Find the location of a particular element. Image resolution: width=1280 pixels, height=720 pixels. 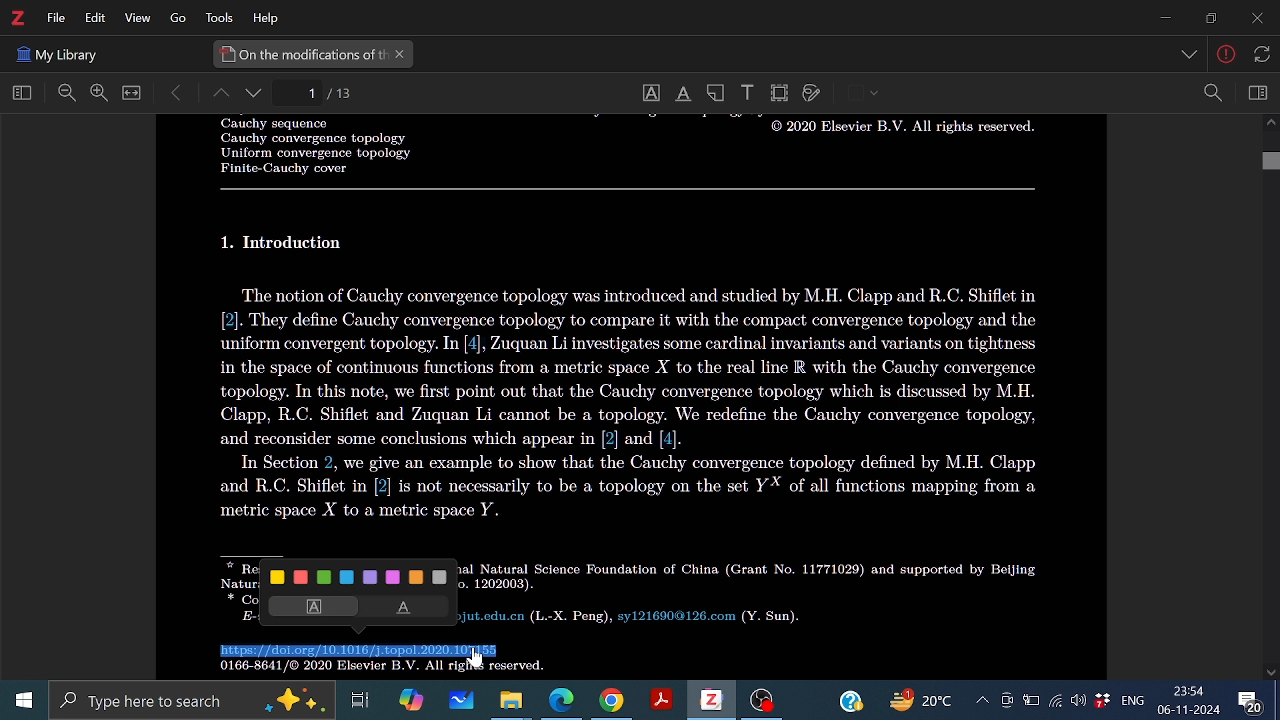

Zoom is located at coordinates (1212, 93).